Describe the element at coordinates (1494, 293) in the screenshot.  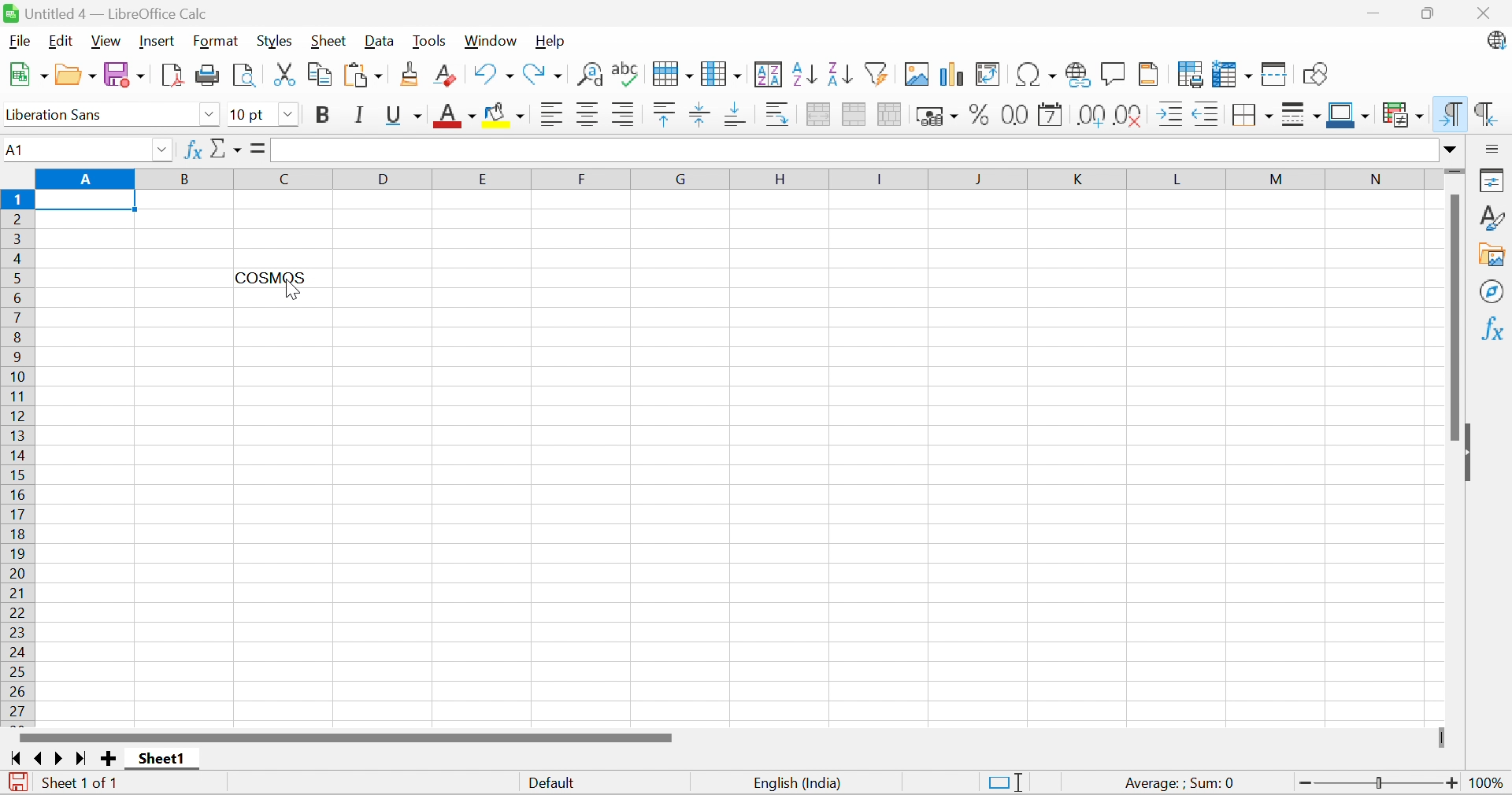
I see `Navigator` at that location.